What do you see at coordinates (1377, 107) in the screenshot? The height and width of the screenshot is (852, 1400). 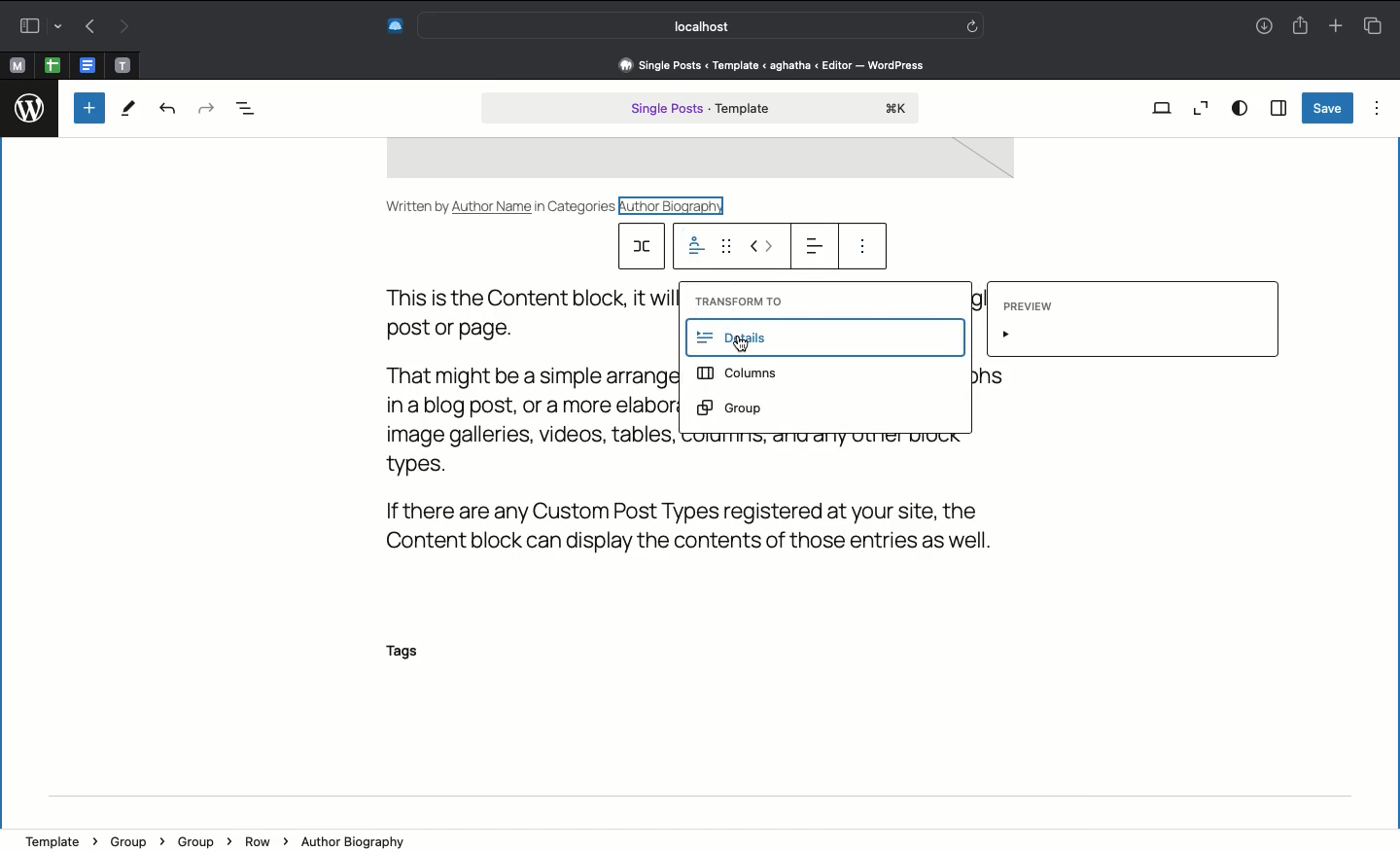 I see `Options` at bounding box center [1377, 107].